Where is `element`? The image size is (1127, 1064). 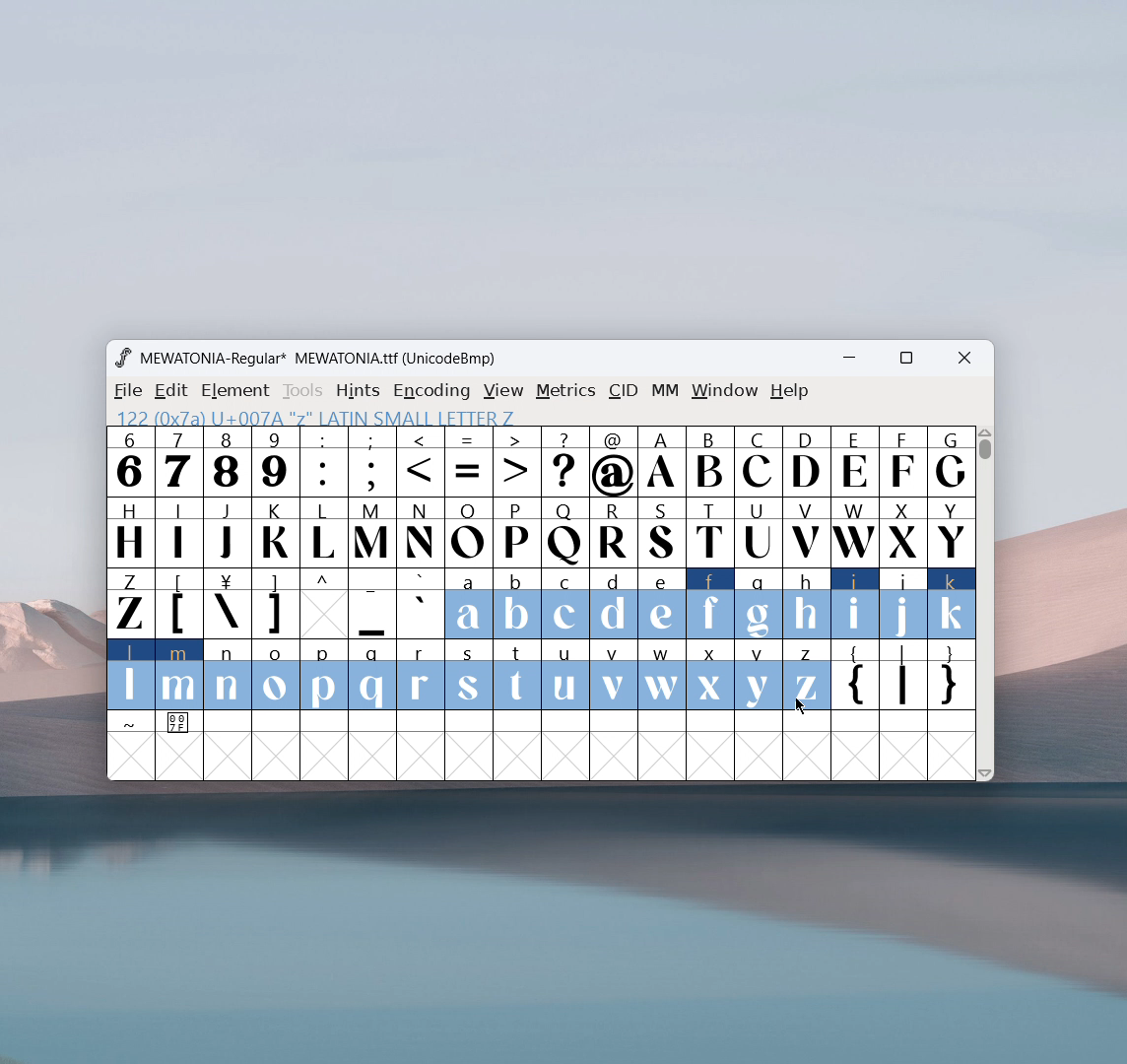 element is located at coordinates (235, 391).